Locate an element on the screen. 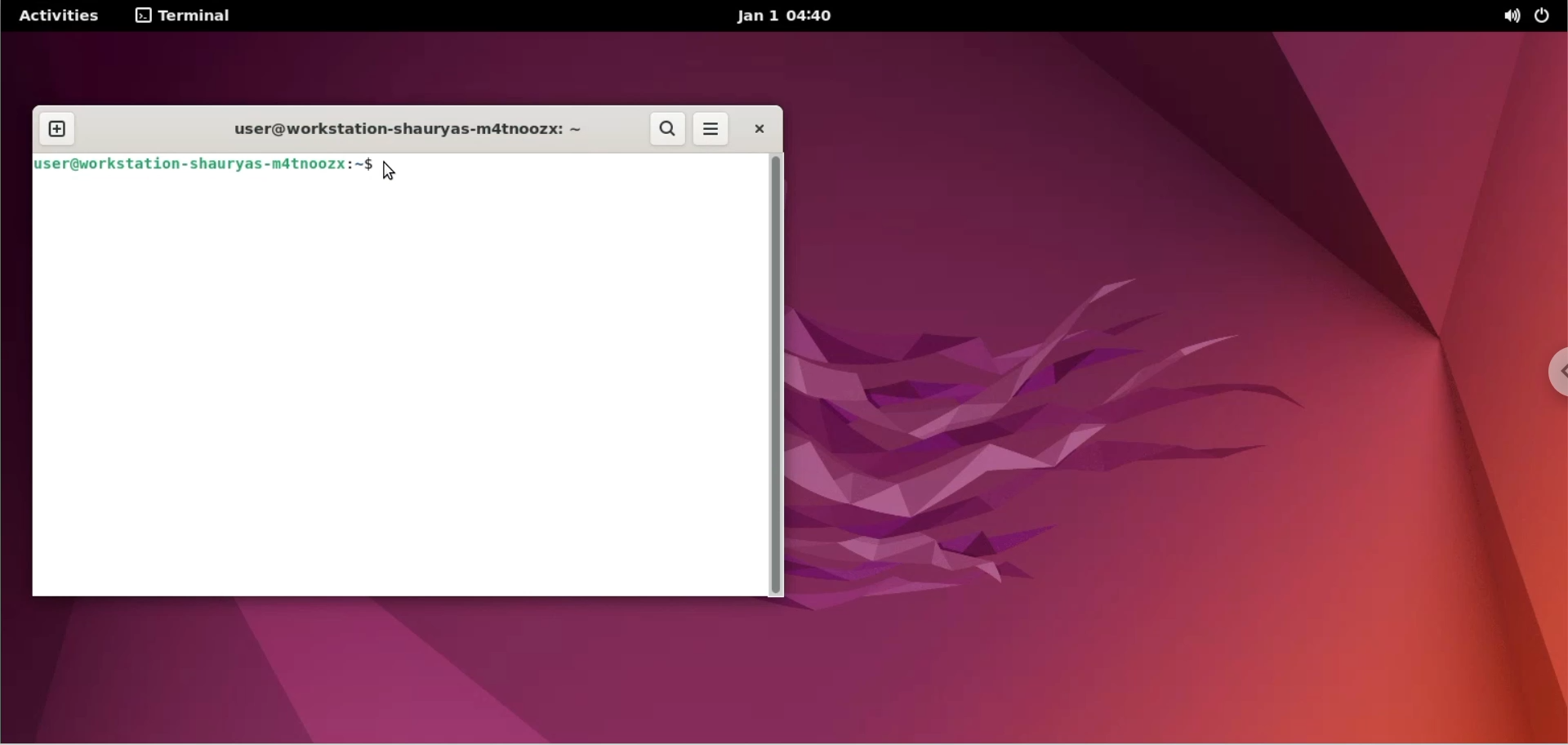 The image size is (1568, 745). search is located at coordinates (664, 128).